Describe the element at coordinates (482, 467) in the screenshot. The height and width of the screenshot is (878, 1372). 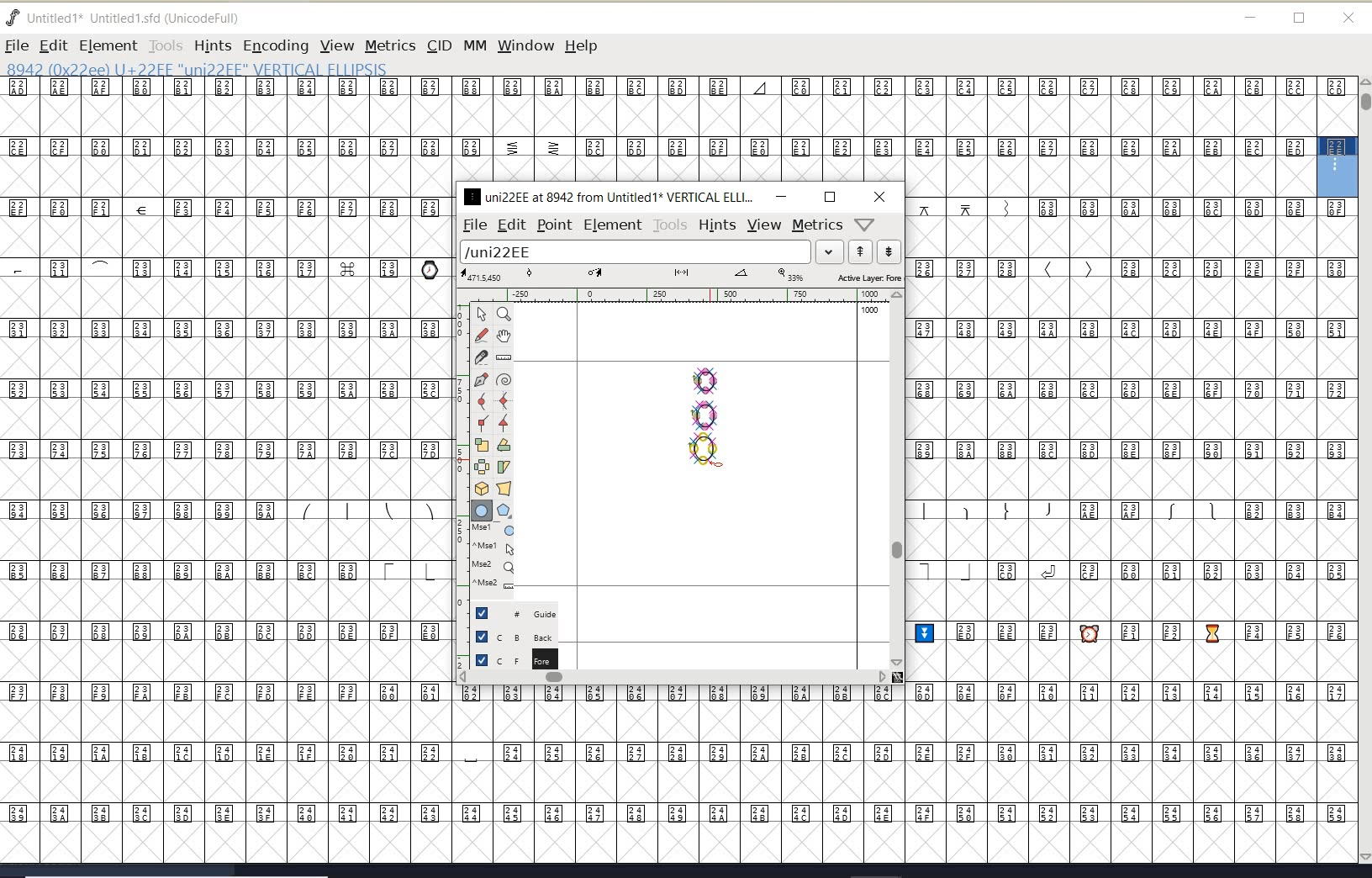
I see `flip the selection` at that location.